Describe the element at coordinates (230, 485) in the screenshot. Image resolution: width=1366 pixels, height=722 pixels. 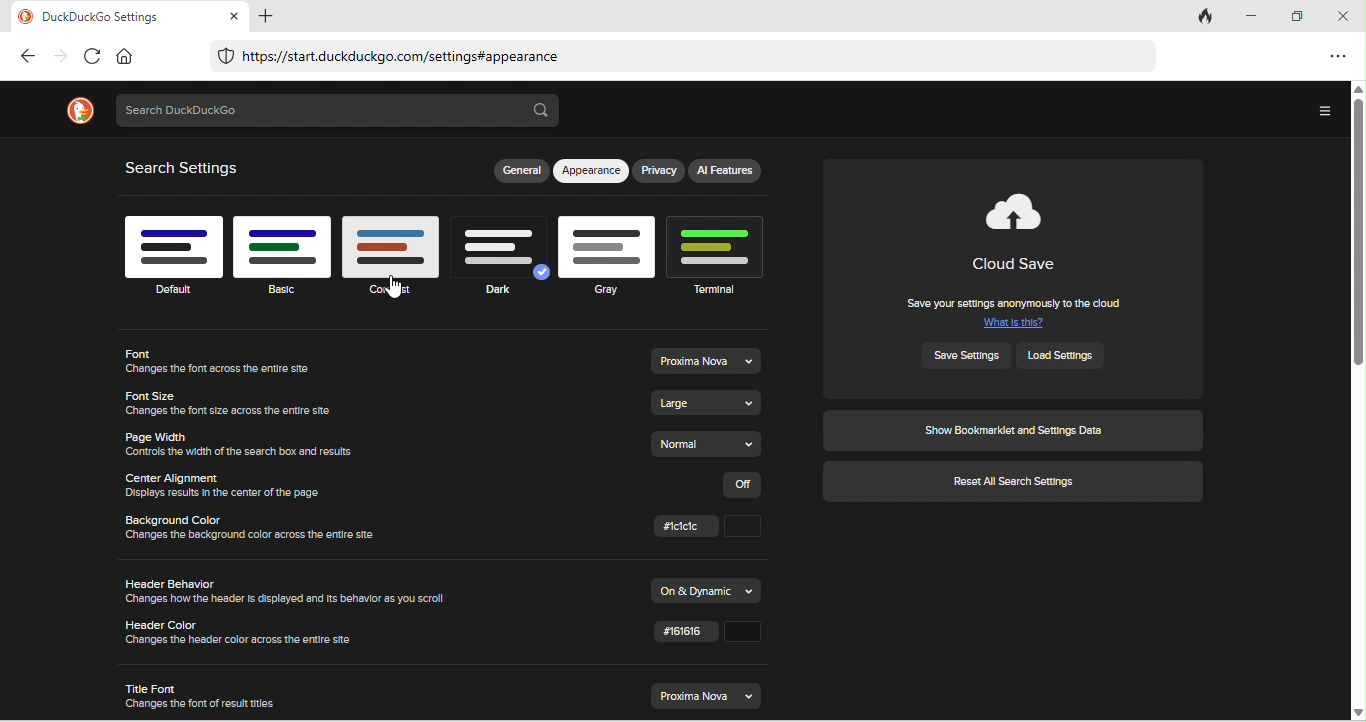
I see `center alignment` at that location.